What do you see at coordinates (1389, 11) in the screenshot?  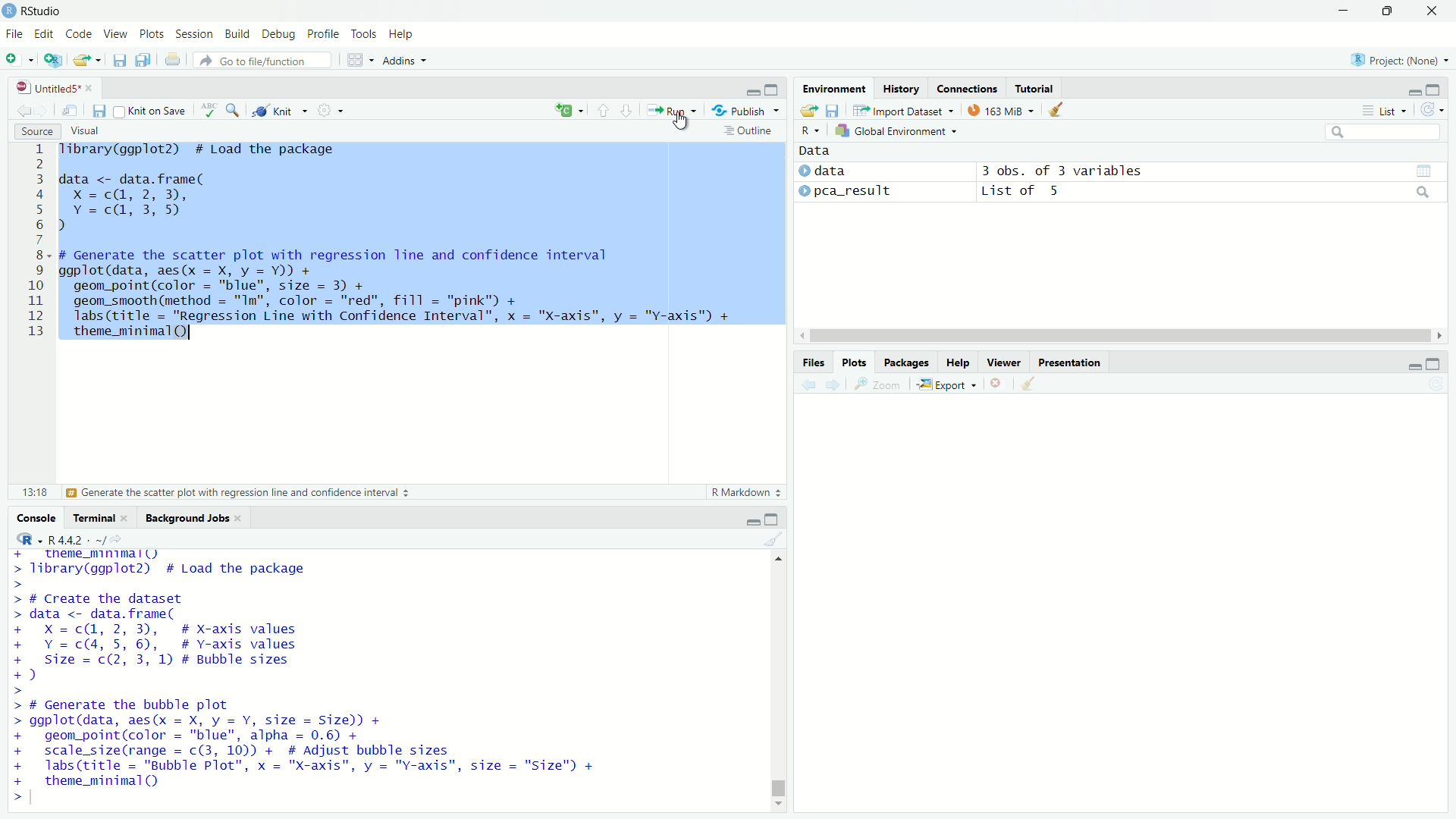 I see `restore` at bounding box center [1389, 11].